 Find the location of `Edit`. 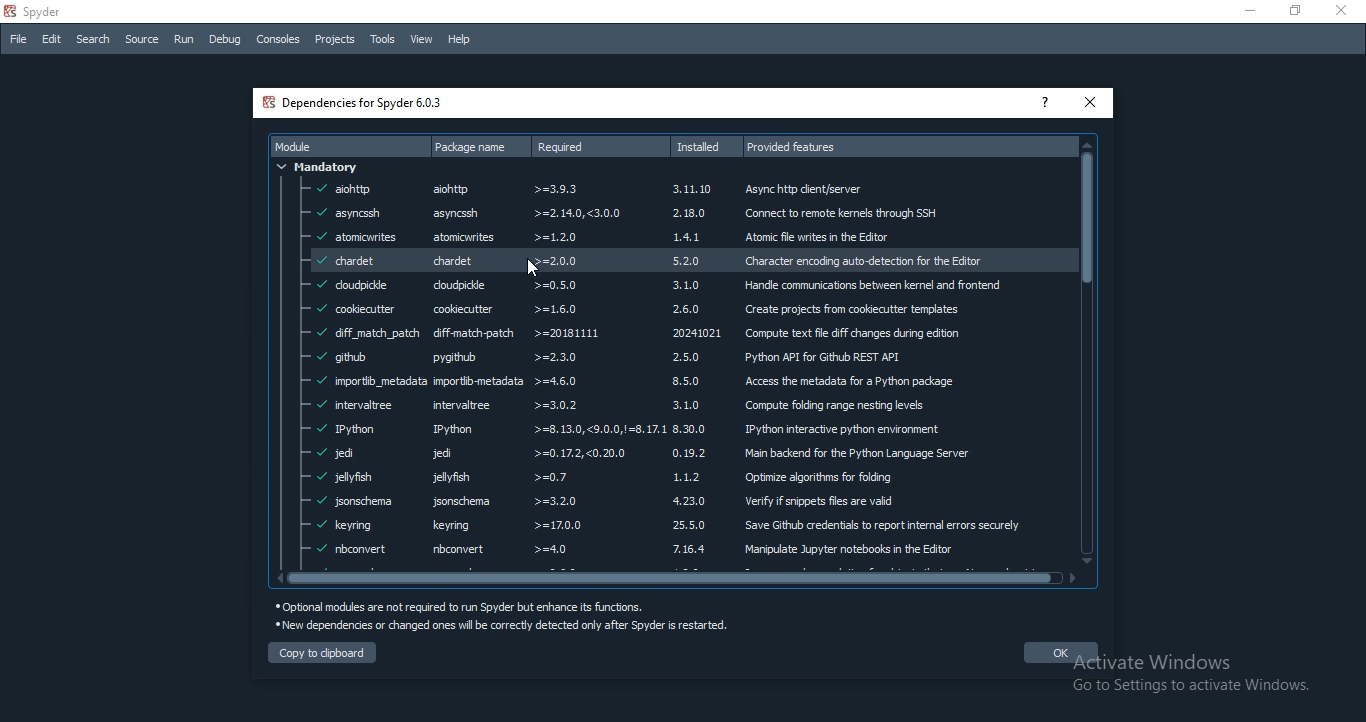

Edit is located at coordinates (52, 40).